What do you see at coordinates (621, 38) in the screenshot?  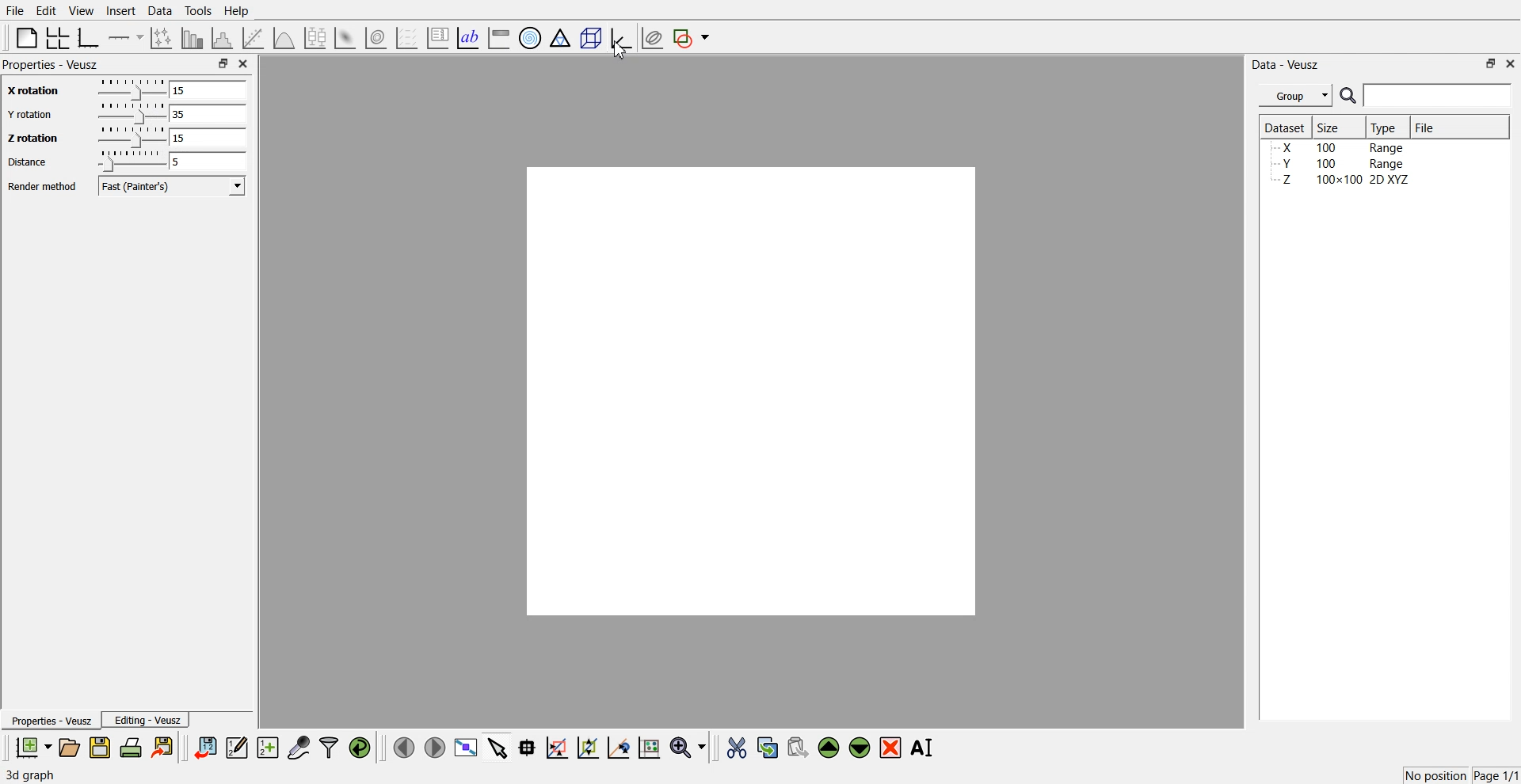 I see `3D Graph` at bounding box center [621, 38].